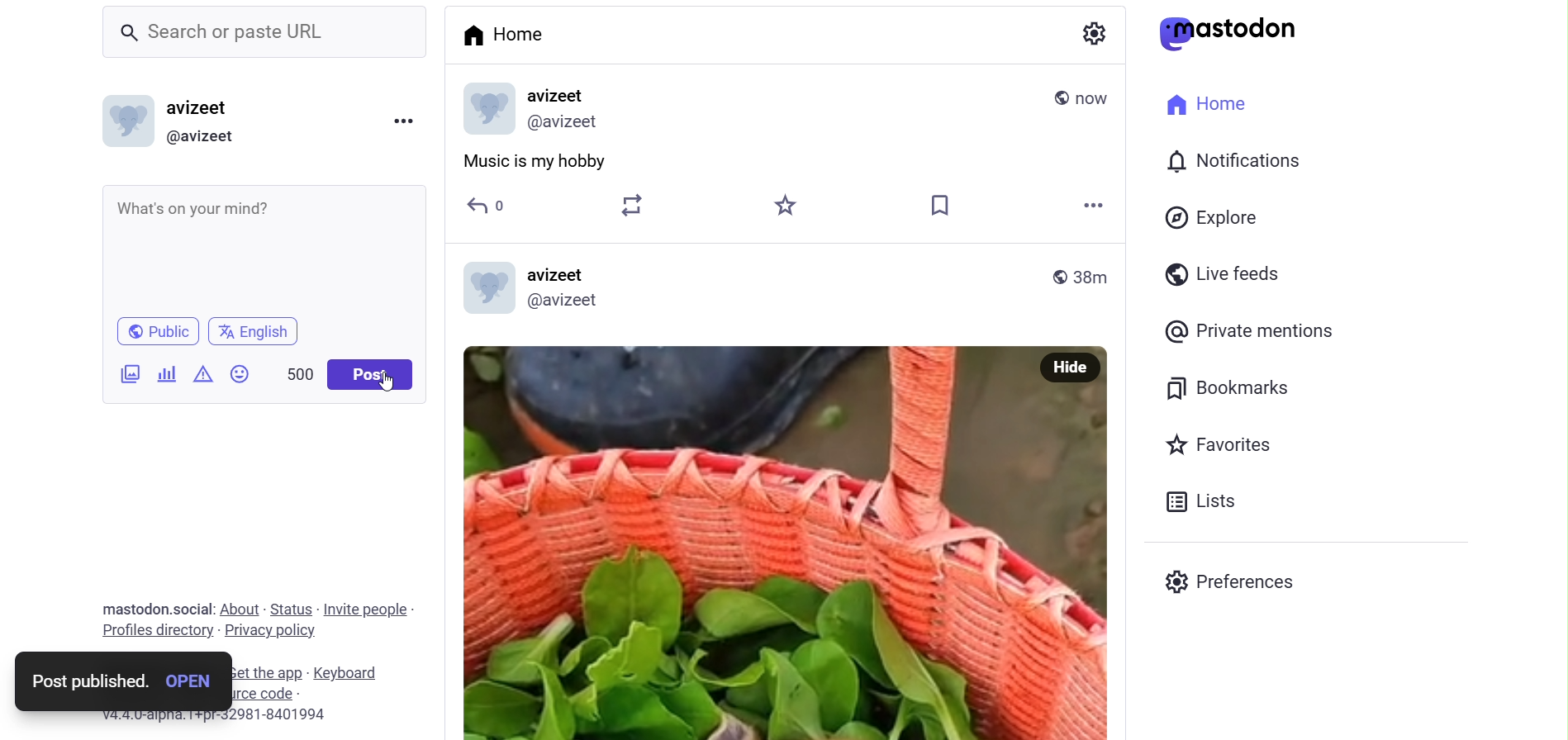 This screenshot has width=1568, height=740. I want to click on Home, so click(1209, 103).